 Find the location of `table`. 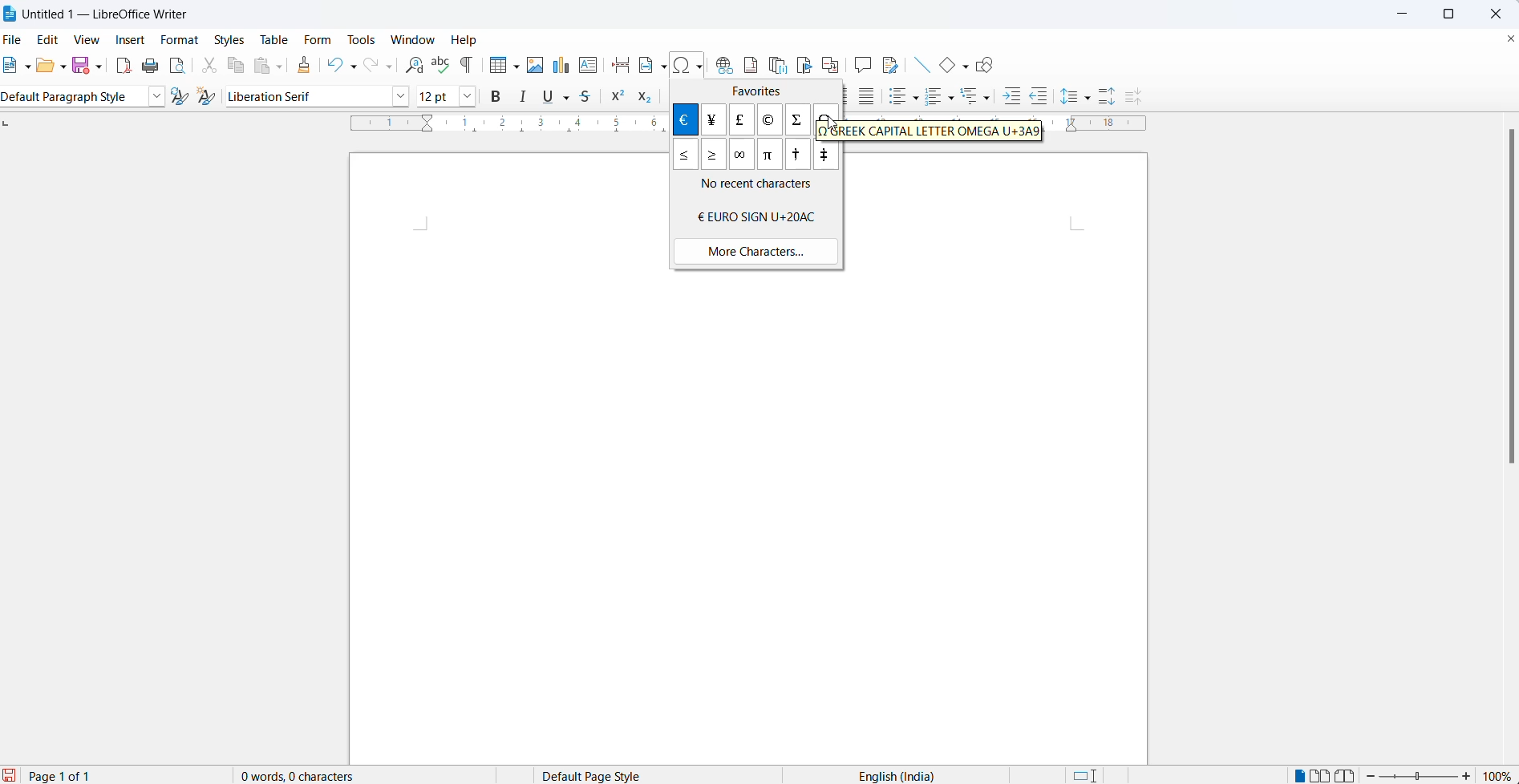

table is located at coordinates (271, 40).